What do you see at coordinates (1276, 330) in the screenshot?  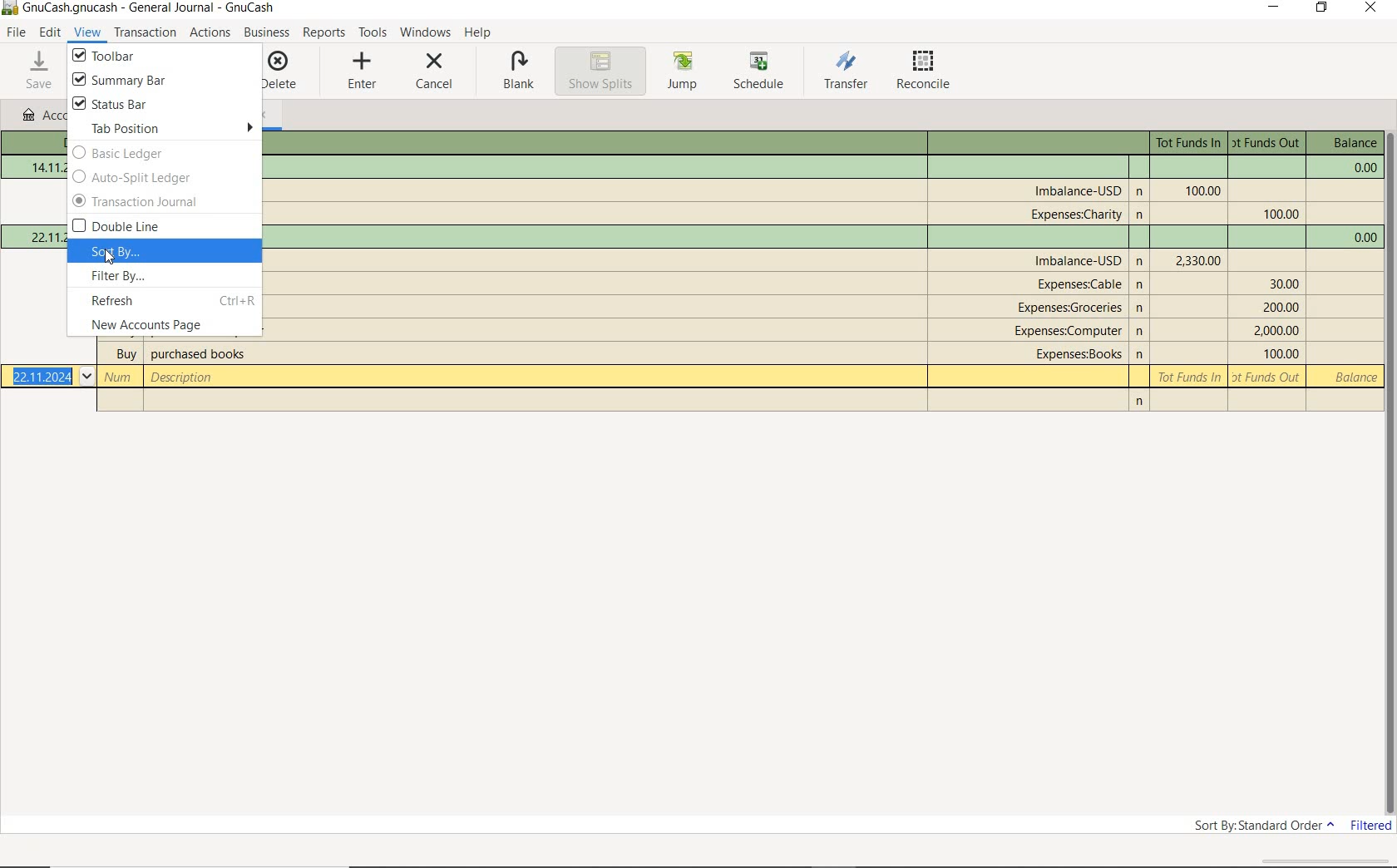 I see `Tot Funds Out` at bounding box center [1276, 330].